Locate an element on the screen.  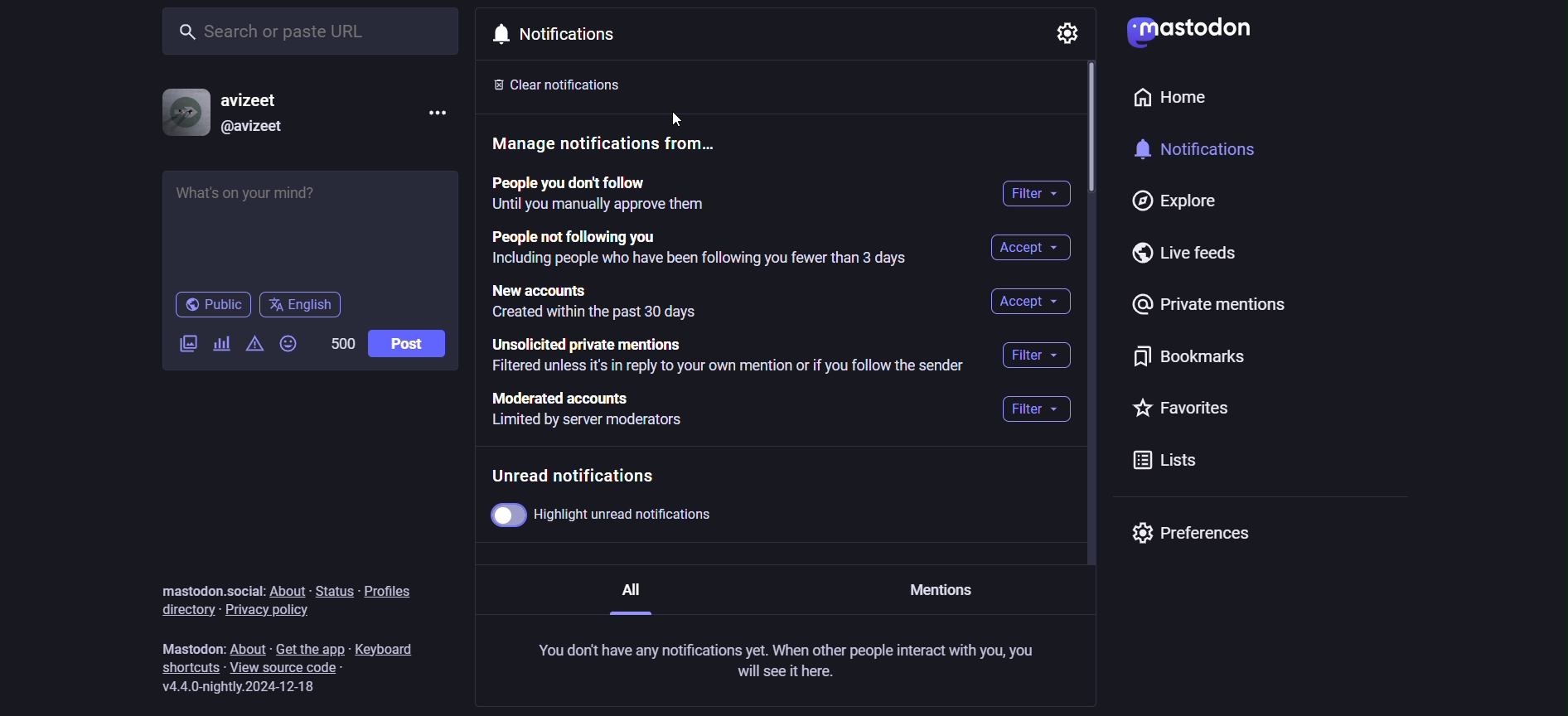
profiles is located at coordinates (397, 588).